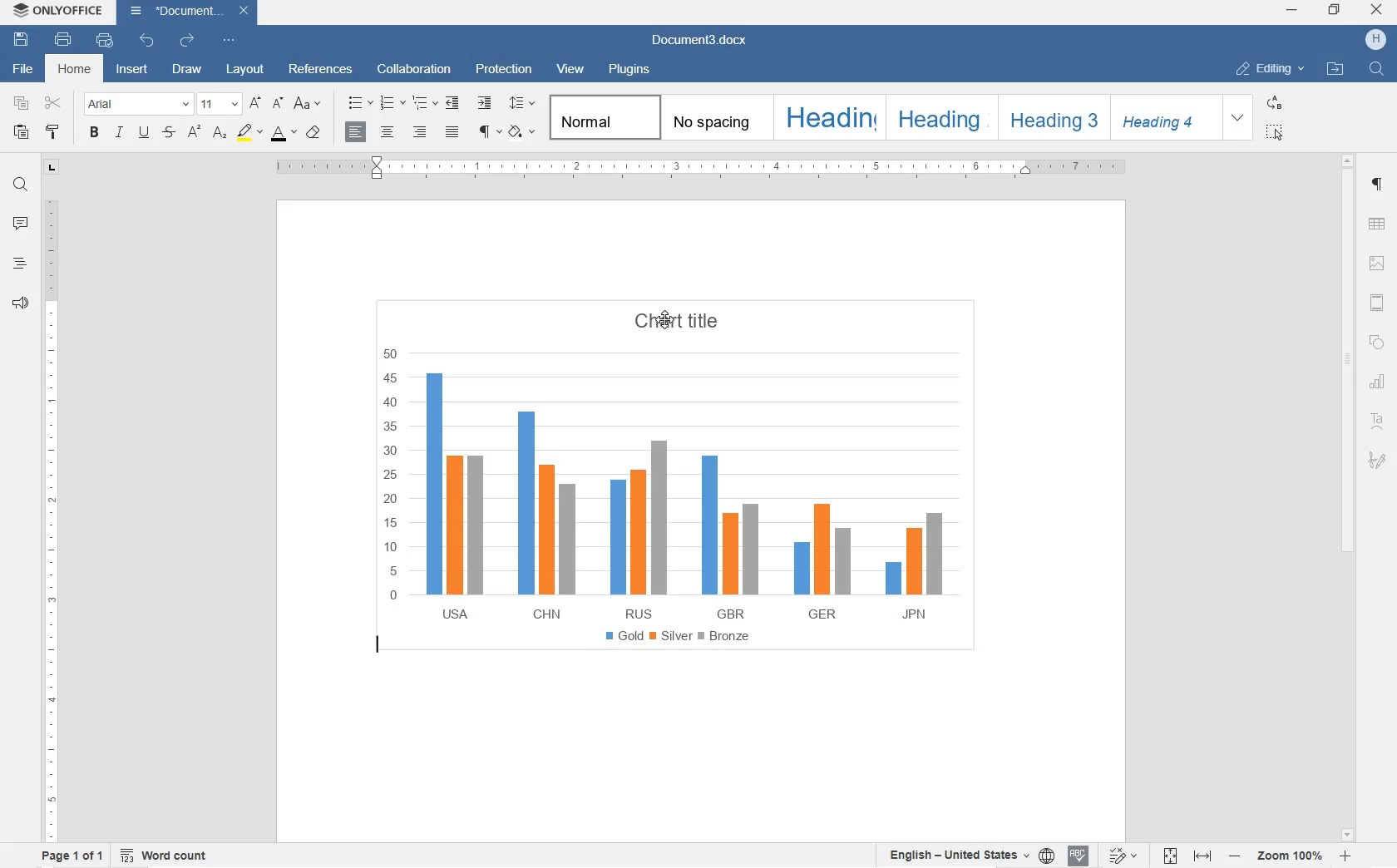 This screenshot has height=868, width=1397. I want to click on PAGE 1 OF 1, so click(74, 856).